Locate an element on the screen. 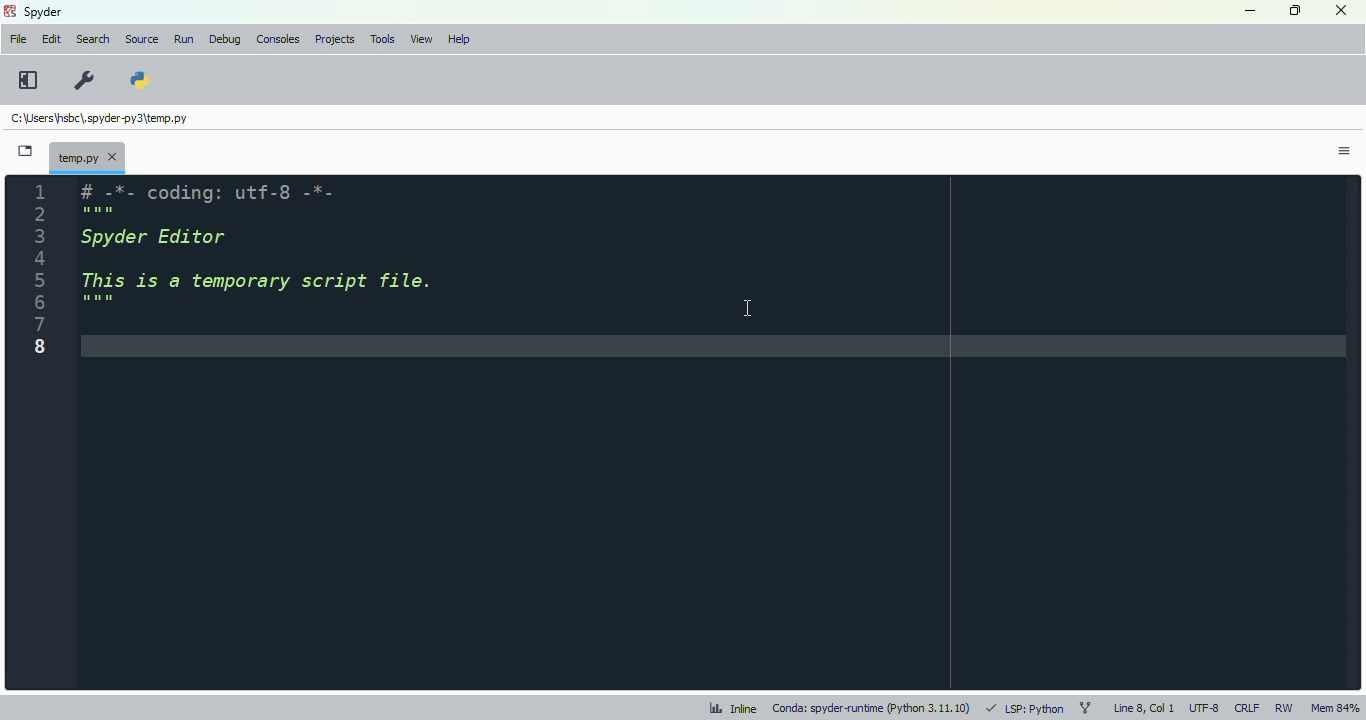  git branch is located at coordinates (1086, 708).